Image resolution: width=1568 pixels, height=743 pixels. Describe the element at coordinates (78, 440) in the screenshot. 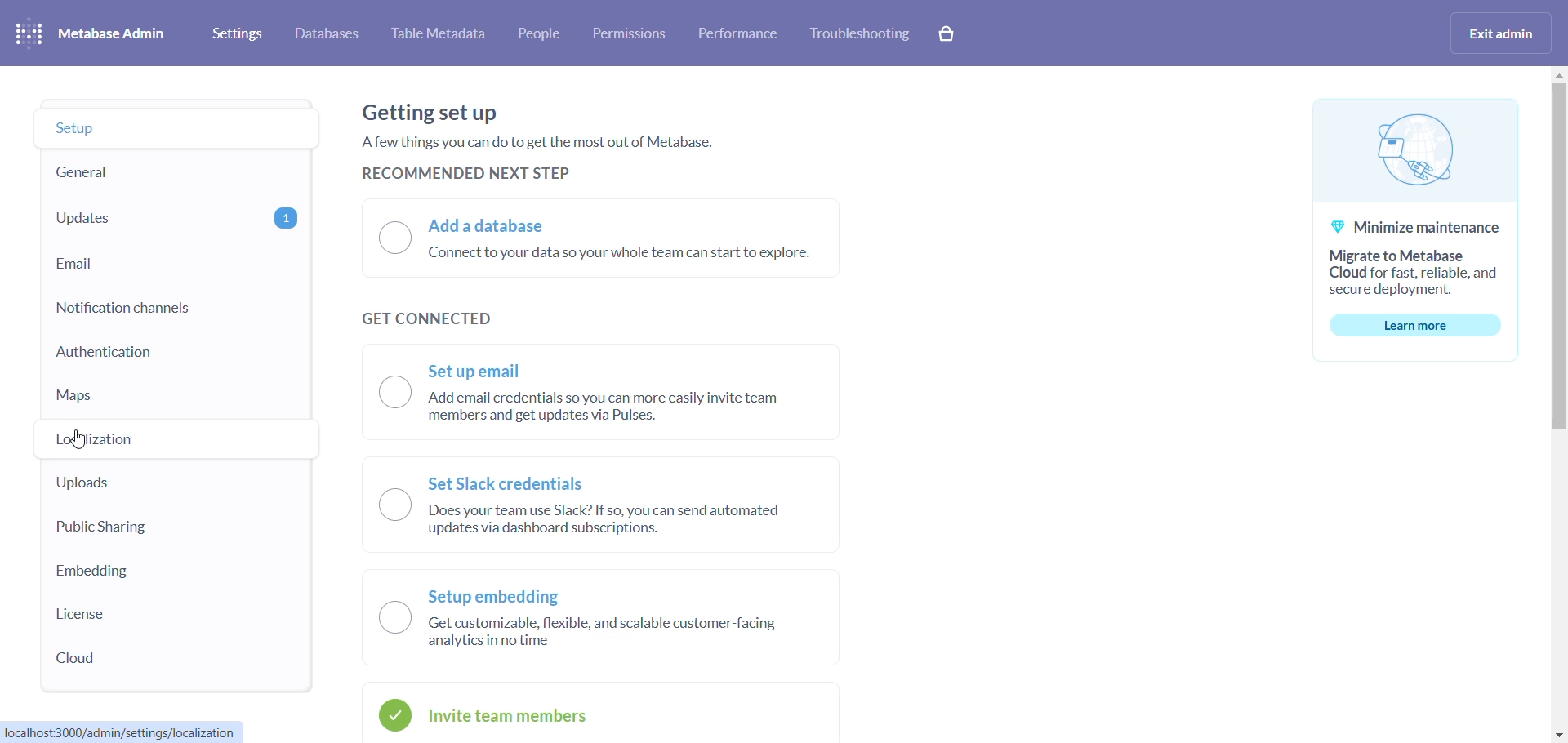

I see `cursor` at that location.